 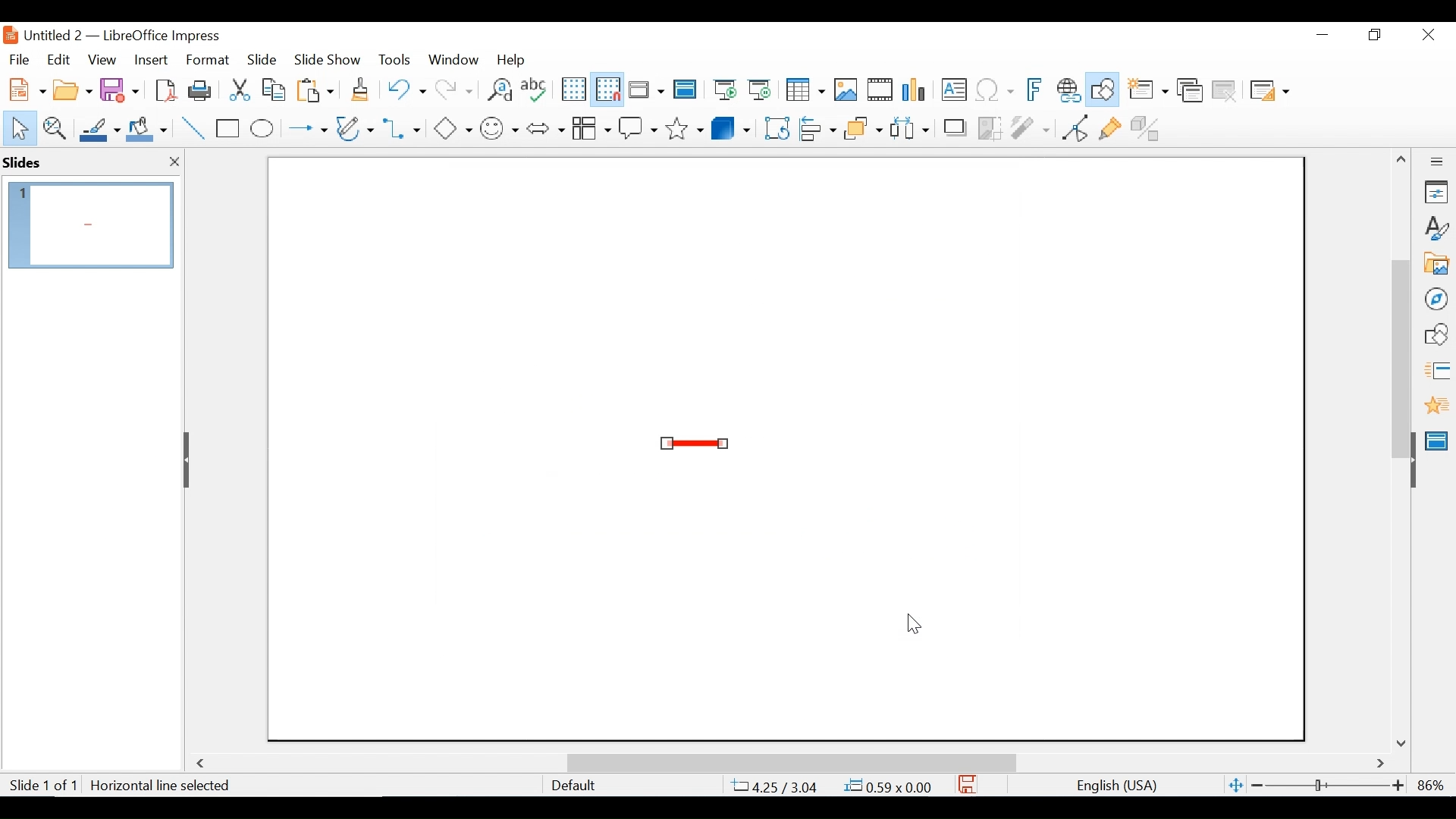 I want to click on LibreOffice Desktop Icon, so click(x=9, y=35).